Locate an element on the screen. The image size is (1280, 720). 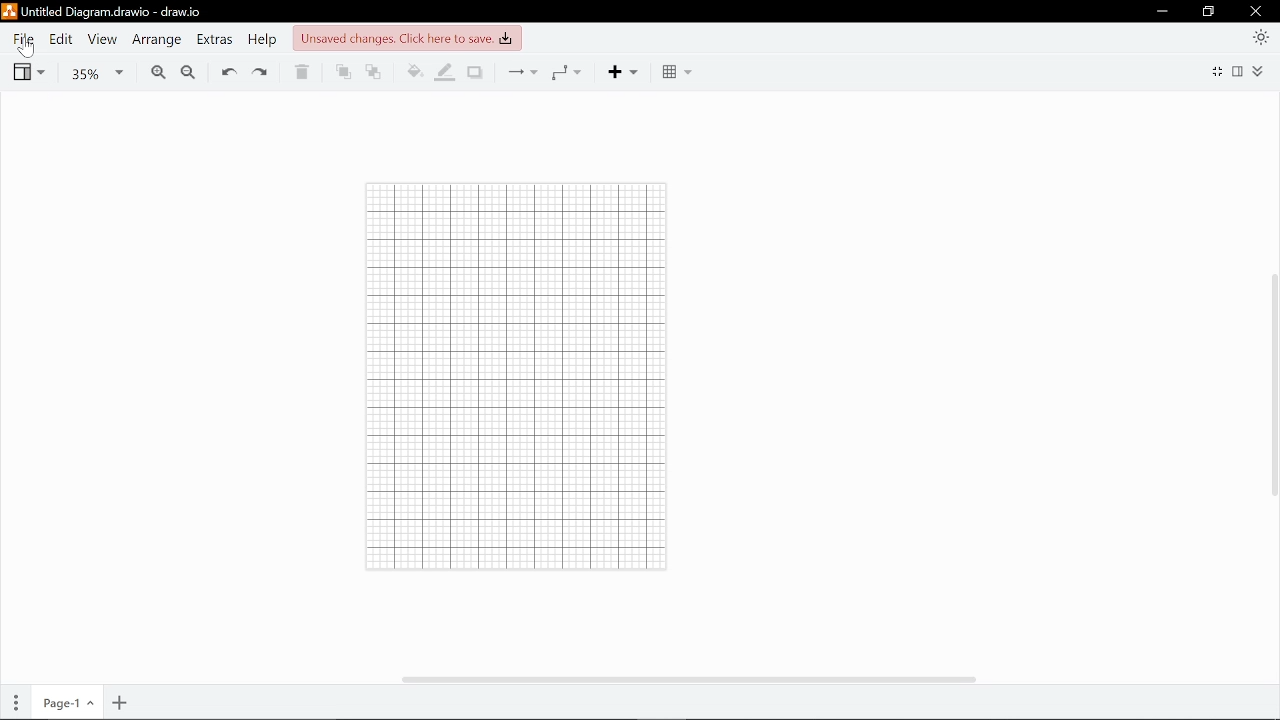
File is located at coordinates (24, 39).